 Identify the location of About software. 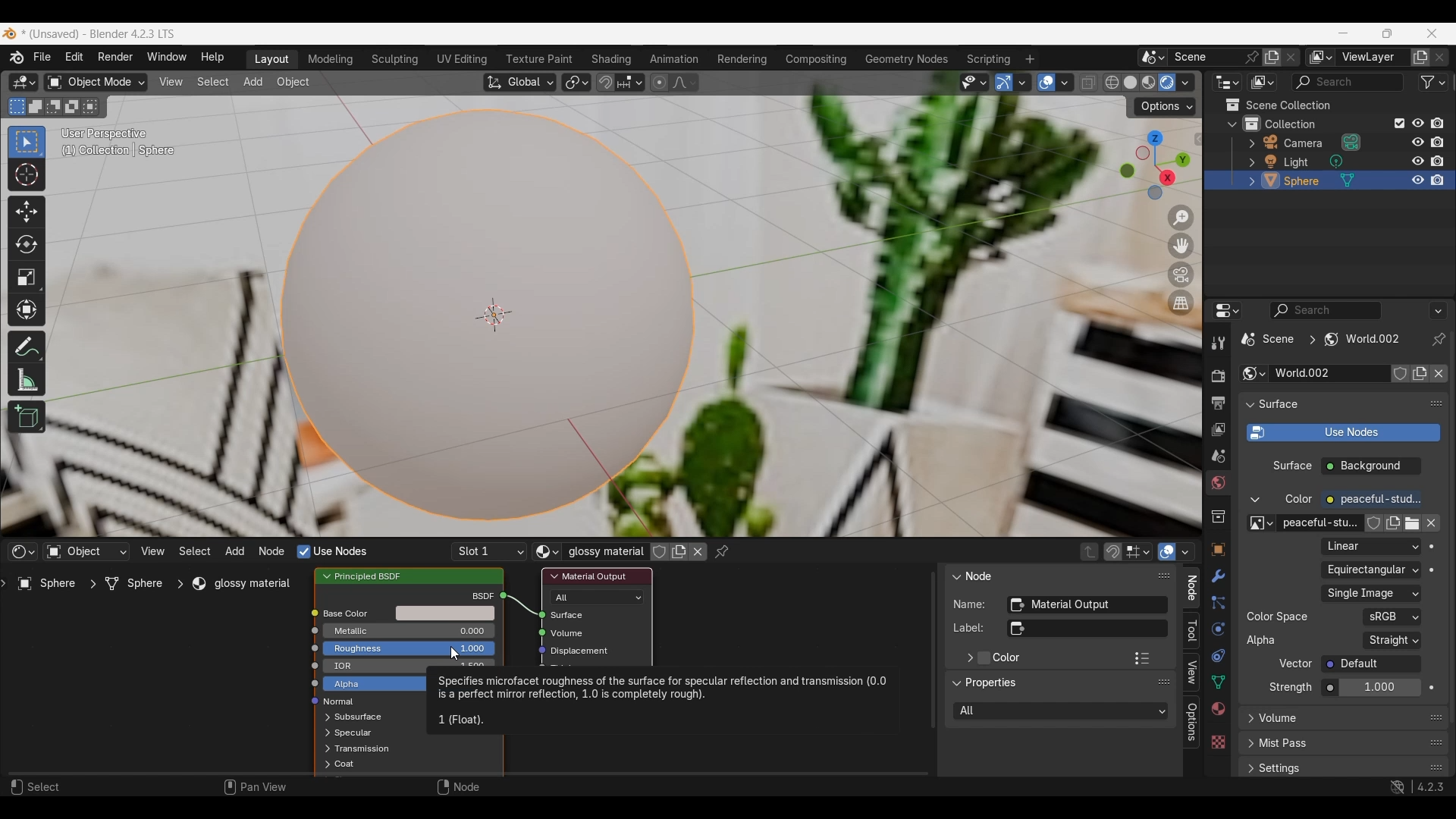
(16, 58).